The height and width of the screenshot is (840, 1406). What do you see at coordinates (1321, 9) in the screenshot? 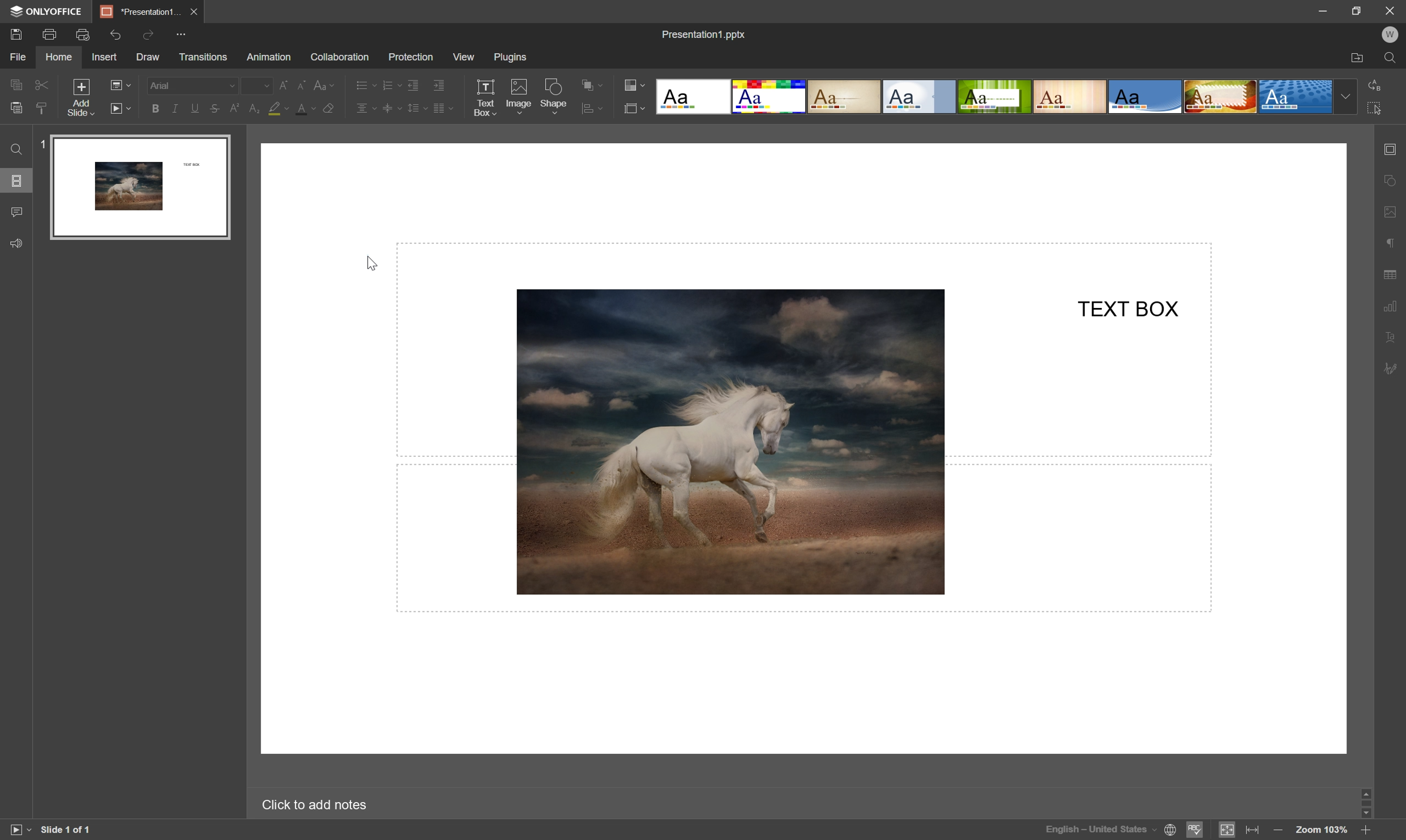
I see `minimize` at bounding box center [1321, 9].